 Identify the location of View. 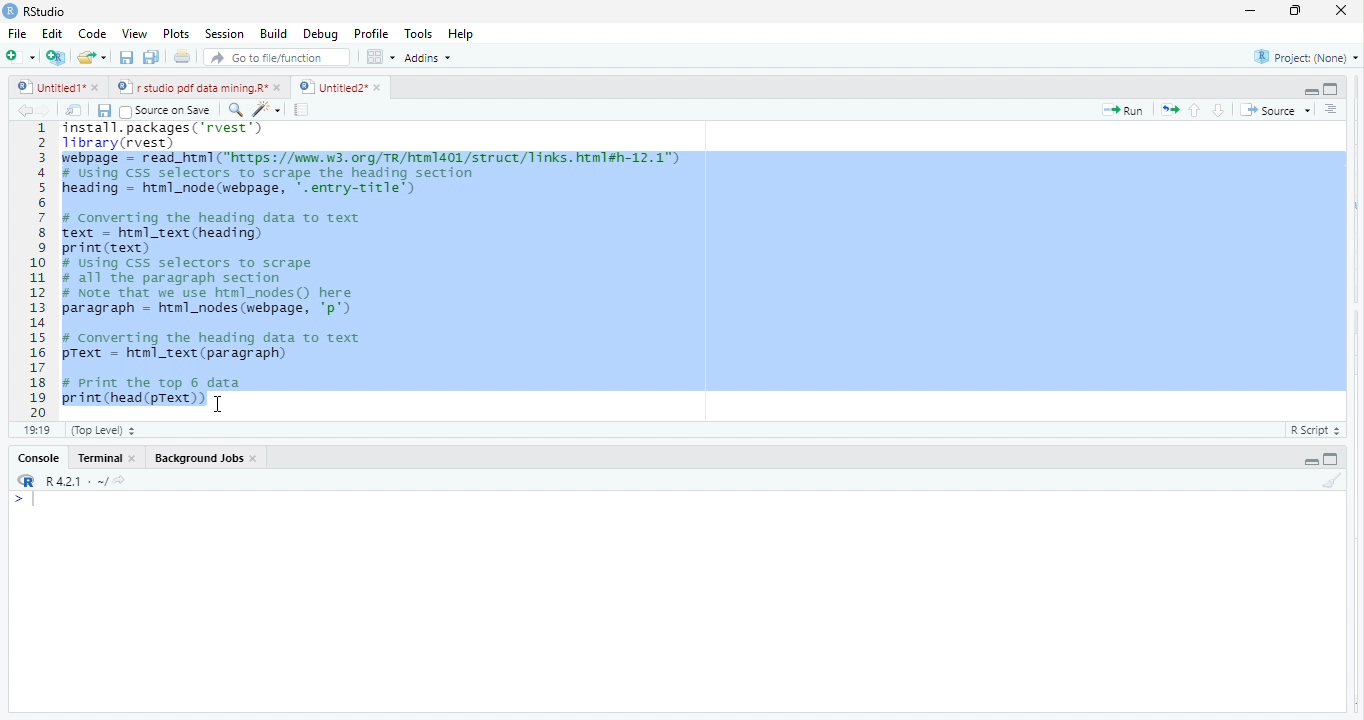
(133, 35).